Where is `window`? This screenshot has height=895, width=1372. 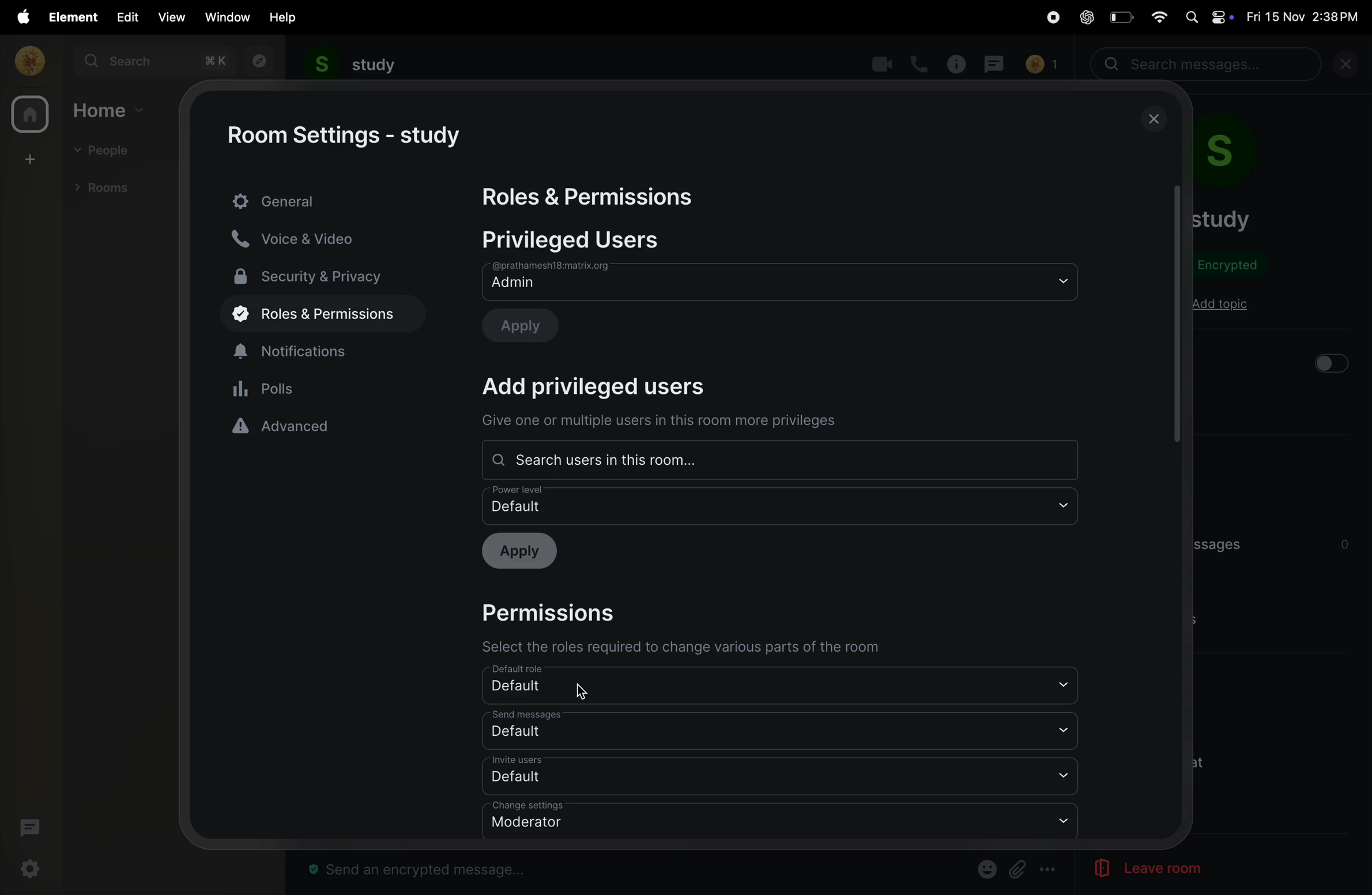
window is located at coordinates (228, 17).